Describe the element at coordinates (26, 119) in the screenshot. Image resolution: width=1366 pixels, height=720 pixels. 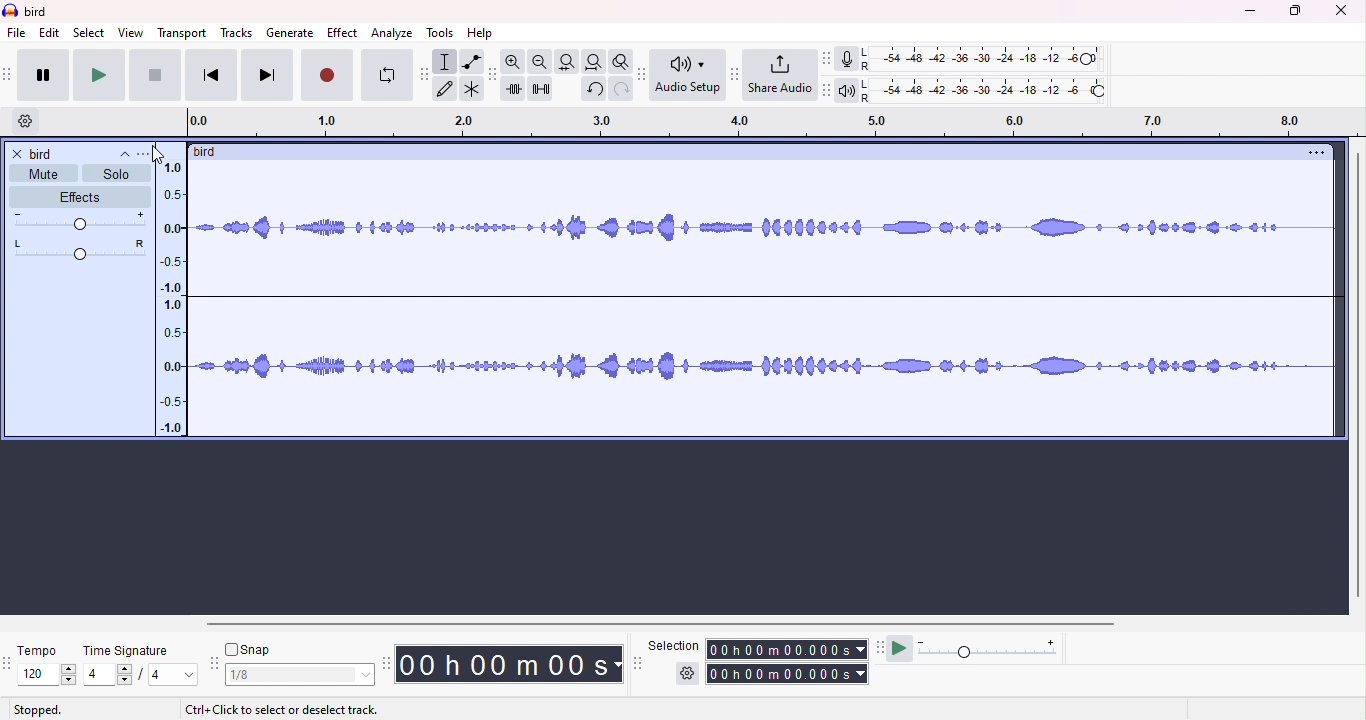
I see `timeline options` at that location.